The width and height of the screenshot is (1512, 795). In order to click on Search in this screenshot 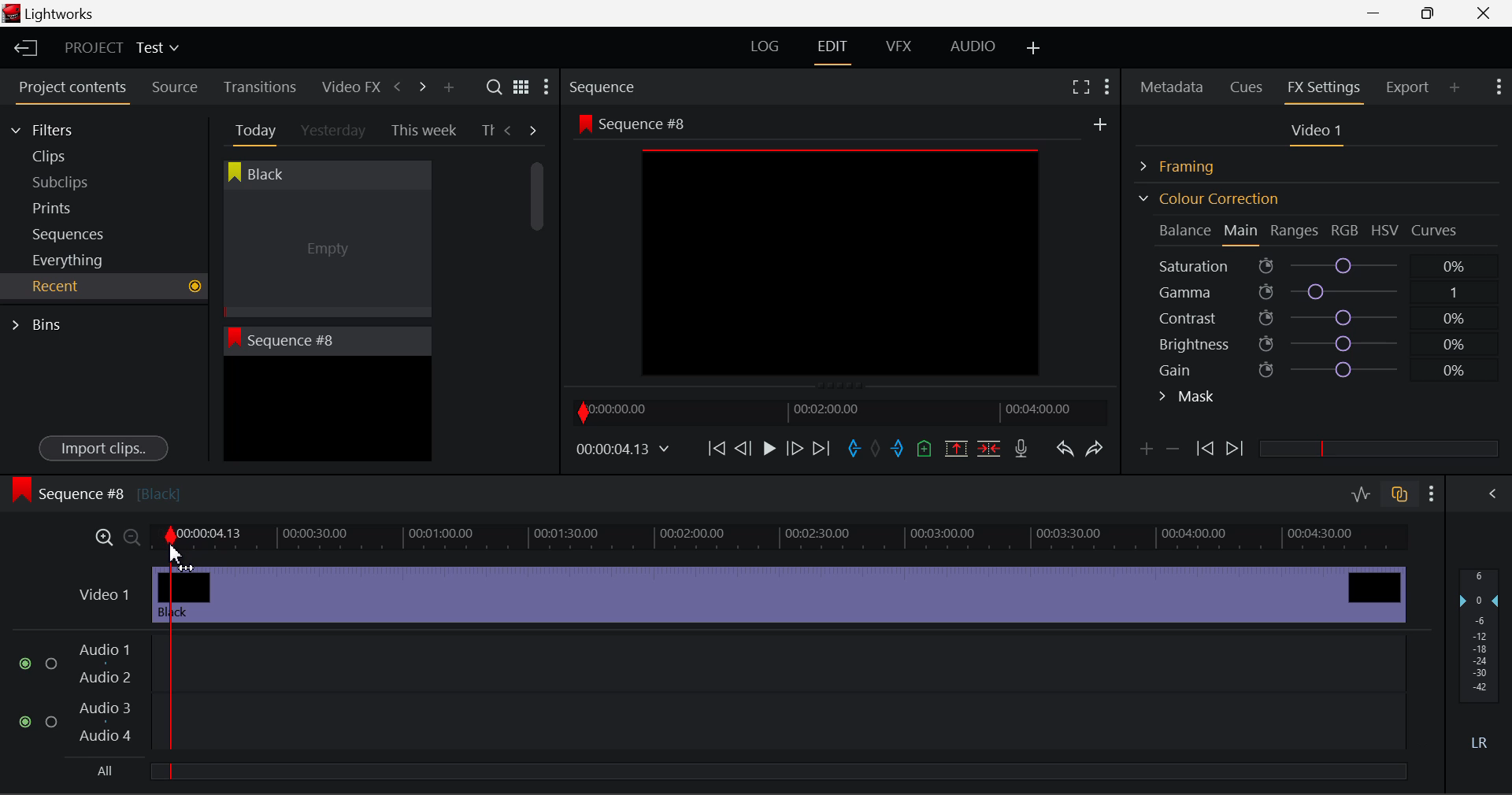, I will do `click(496, 87)`.